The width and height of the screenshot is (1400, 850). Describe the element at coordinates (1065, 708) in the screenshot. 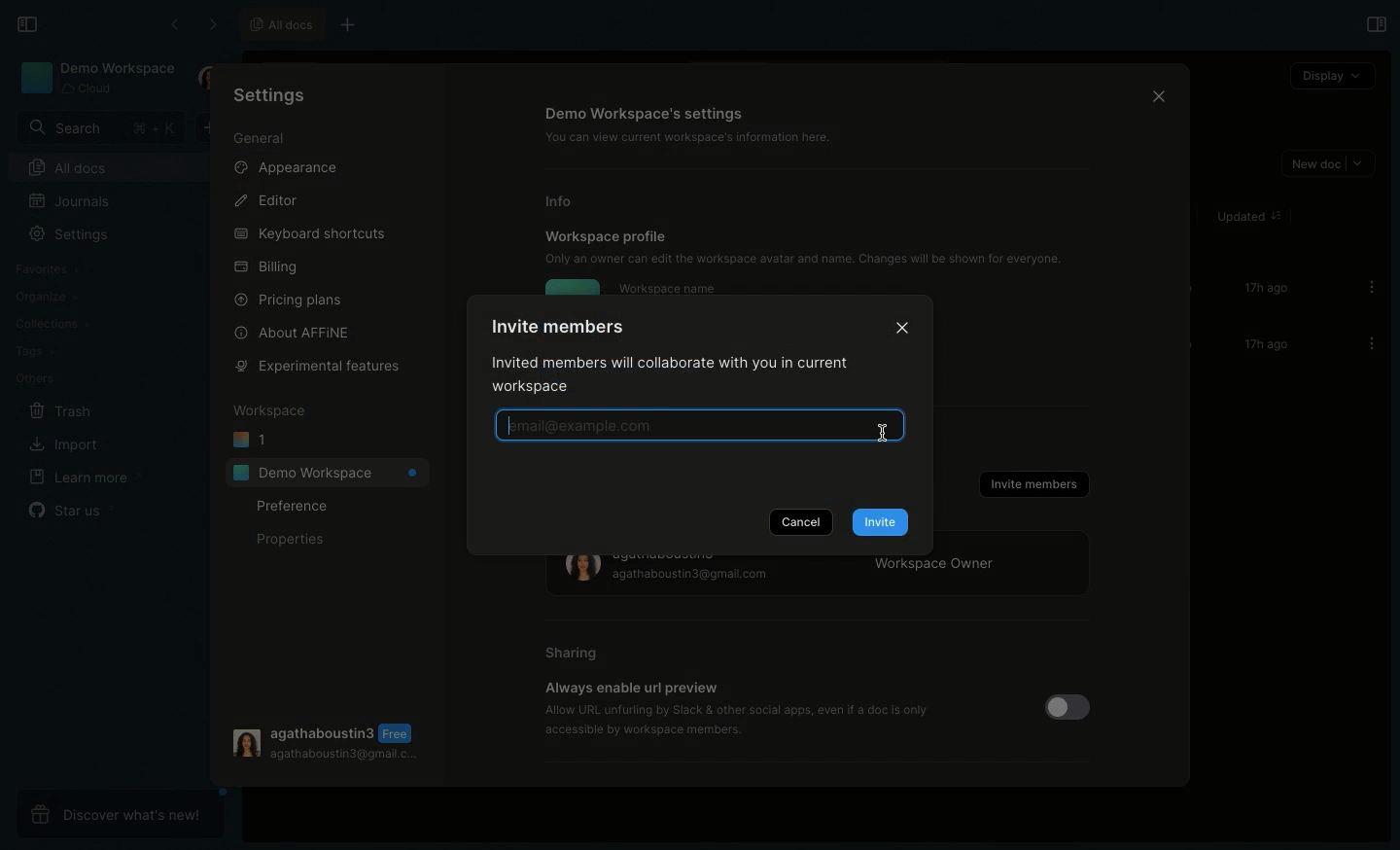

I see `Toggle` at that location.